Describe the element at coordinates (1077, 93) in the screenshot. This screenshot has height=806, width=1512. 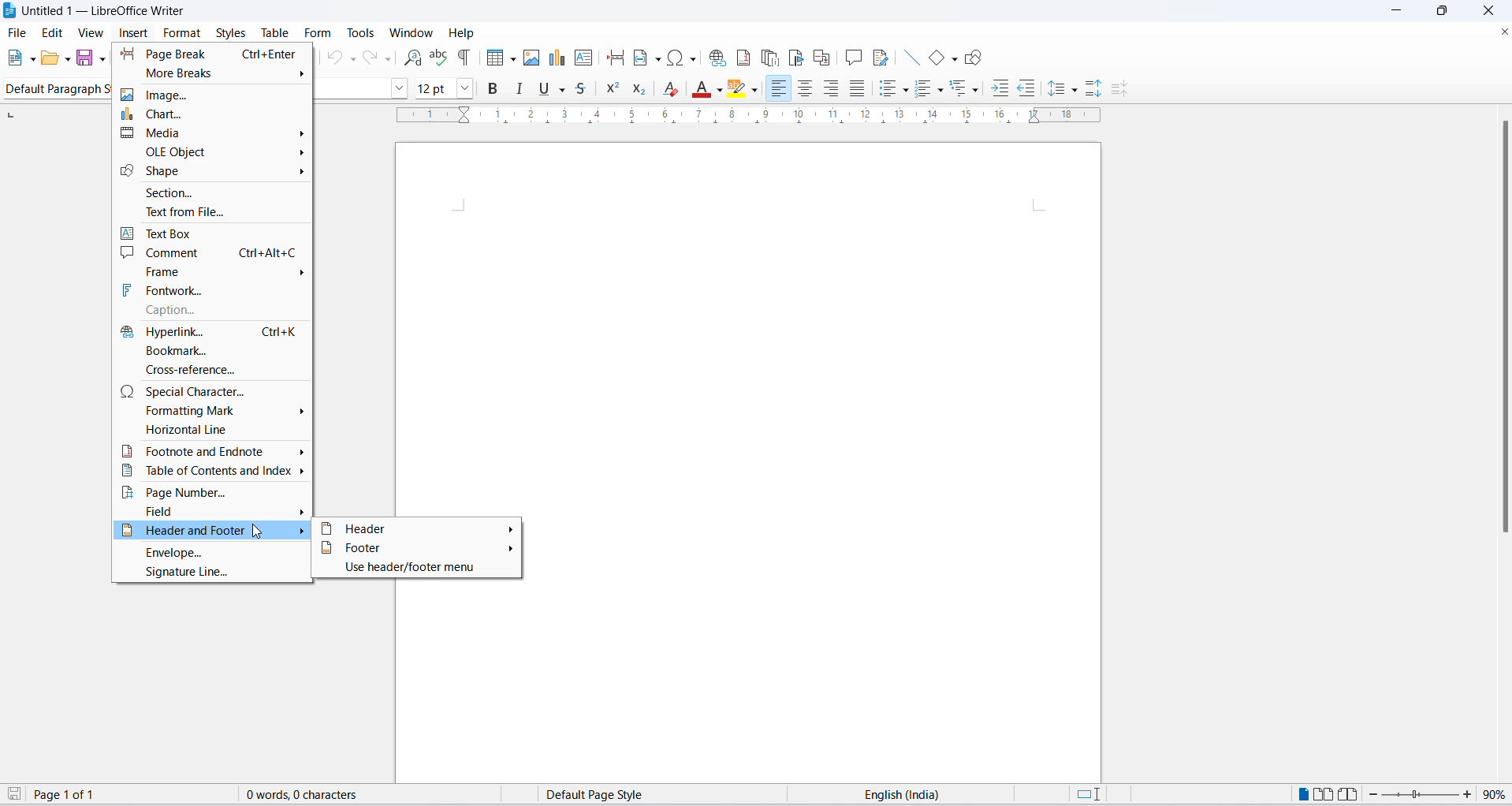
I see `line spacing options` at that location.